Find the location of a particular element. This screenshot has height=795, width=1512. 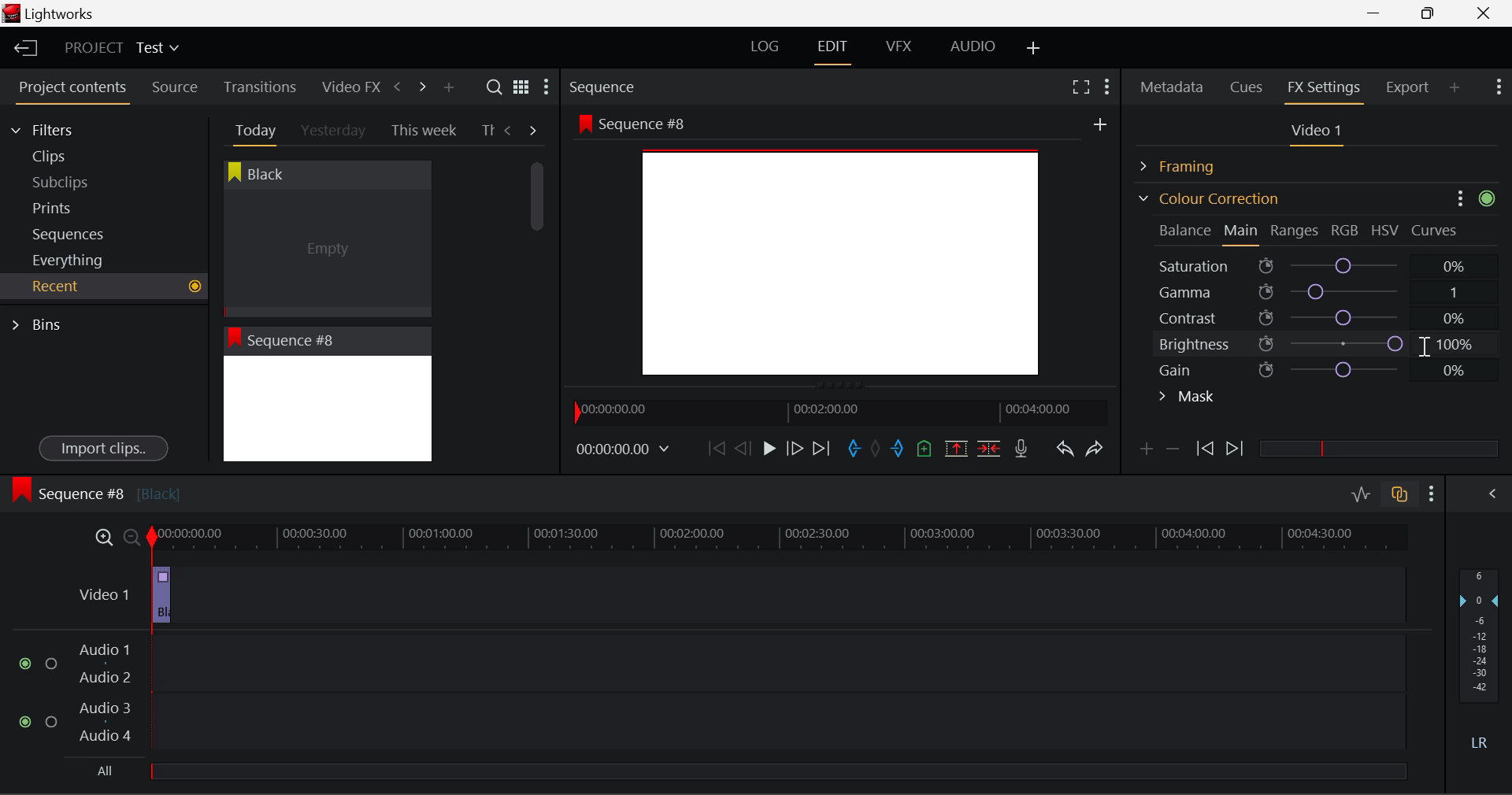

Subclips is located at coordinates (76, 182).